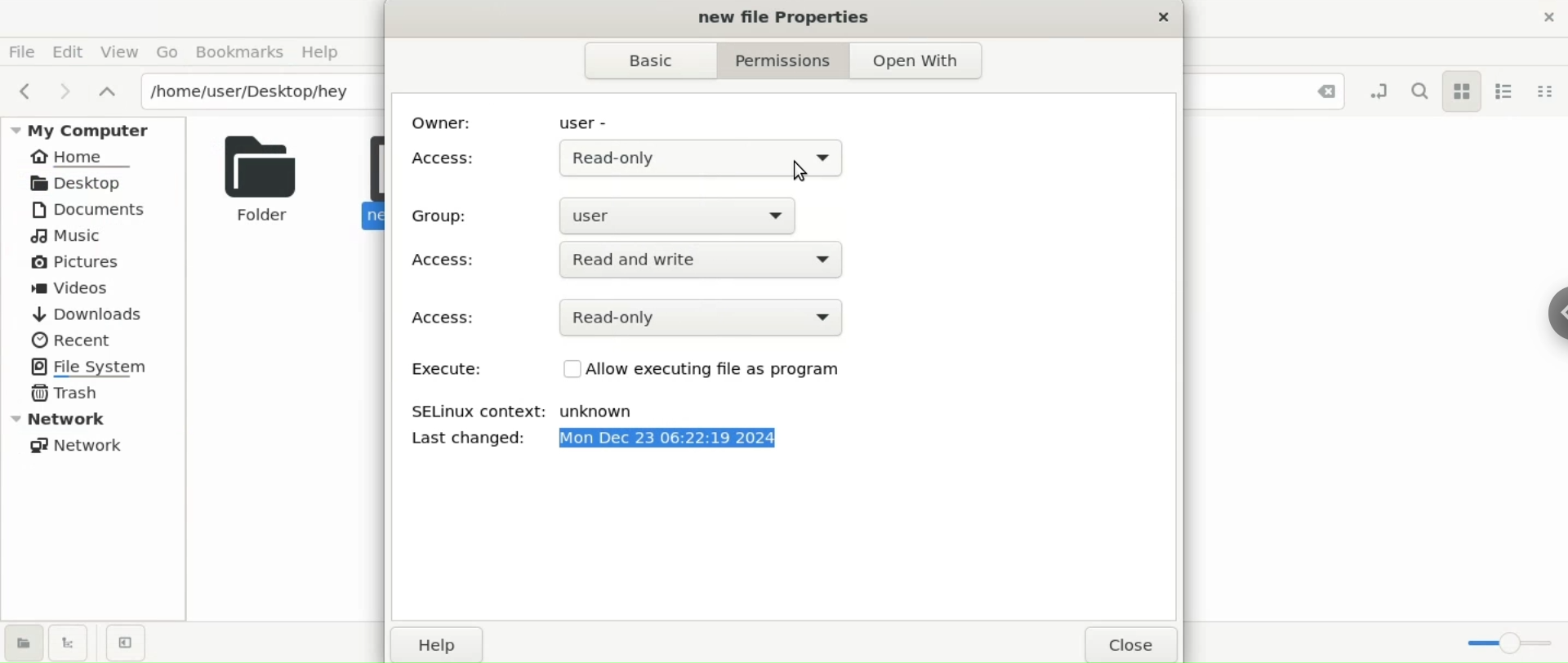  Describe the element at coordinates (122, 54) in the screenshot. I see `View` at that location.